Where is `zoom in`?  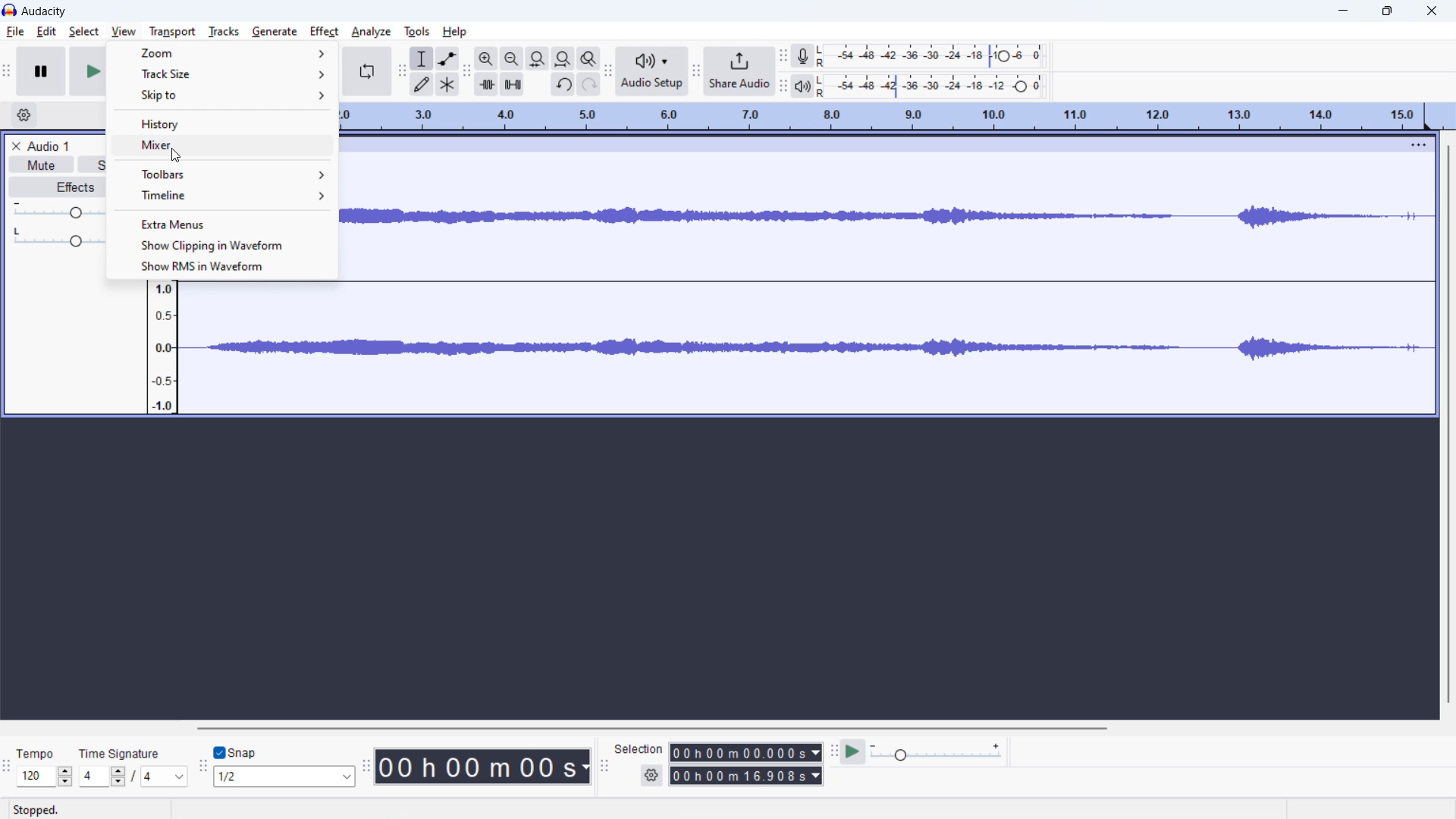
zoom in is located at coordinates (486, 58).